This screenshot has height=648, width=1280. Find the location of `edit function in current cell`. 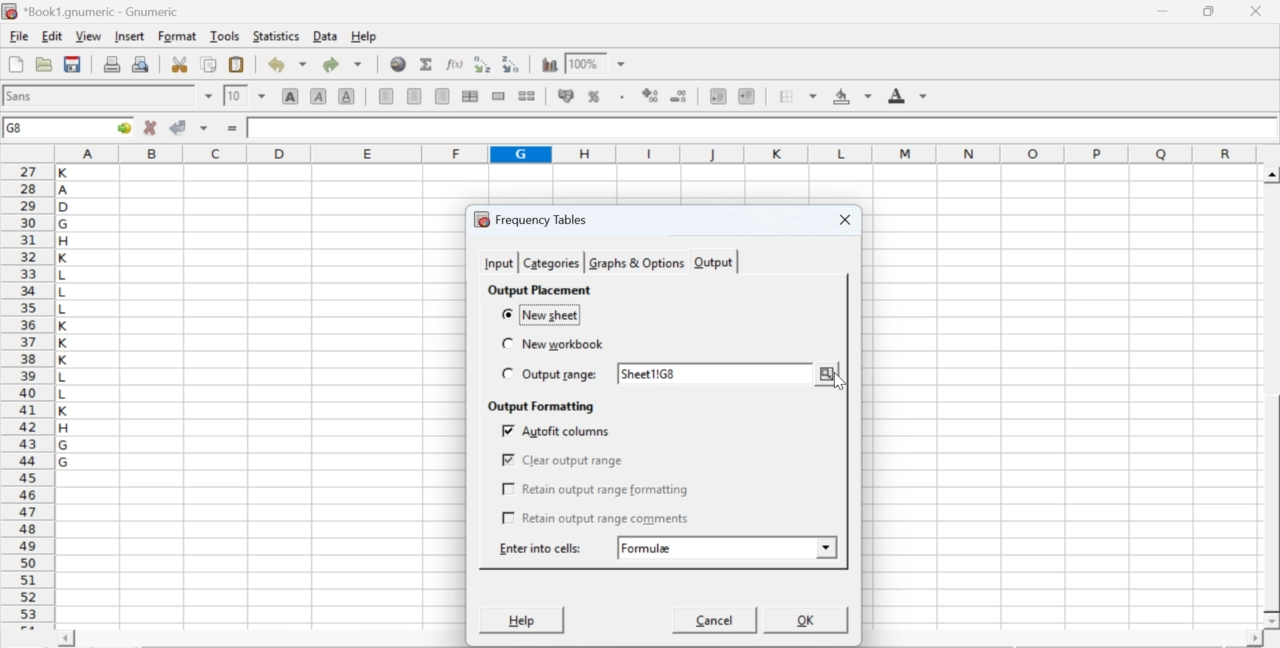

edit function in current cell is located at coordinates (456, 63).